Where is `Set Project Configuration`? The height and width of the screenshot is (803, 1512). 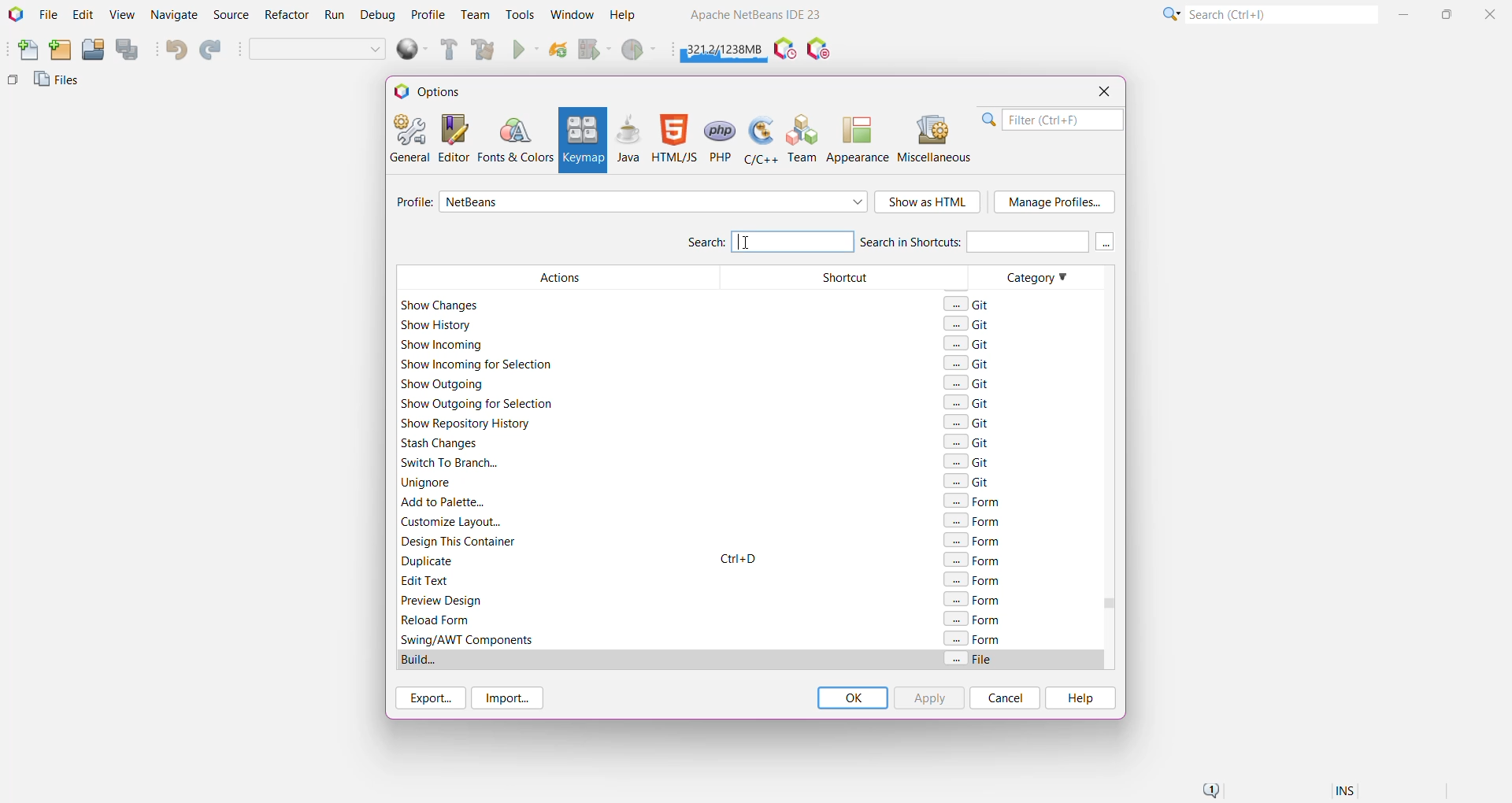 Set Project Configuration is located at coordinates (318, 50).